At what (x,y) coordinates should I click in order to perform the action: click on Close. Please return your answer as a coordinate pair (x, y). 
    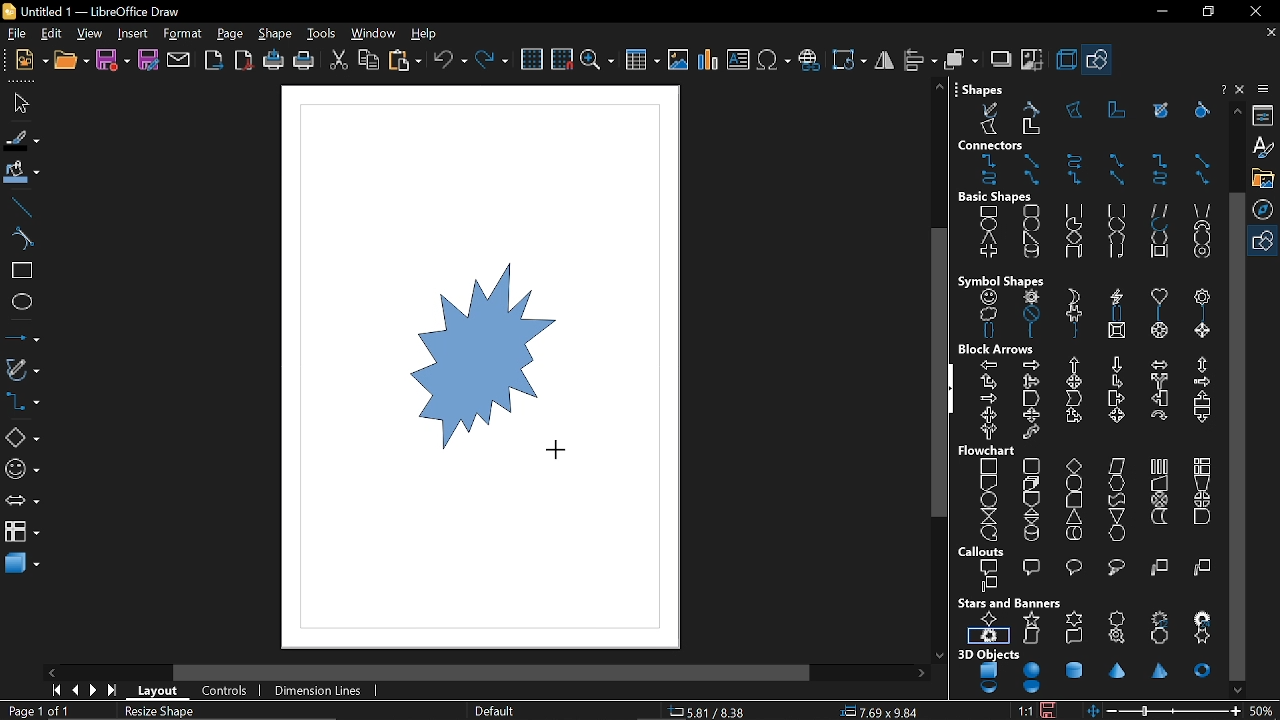
    Looking at the image, I should click on (1221, 89).